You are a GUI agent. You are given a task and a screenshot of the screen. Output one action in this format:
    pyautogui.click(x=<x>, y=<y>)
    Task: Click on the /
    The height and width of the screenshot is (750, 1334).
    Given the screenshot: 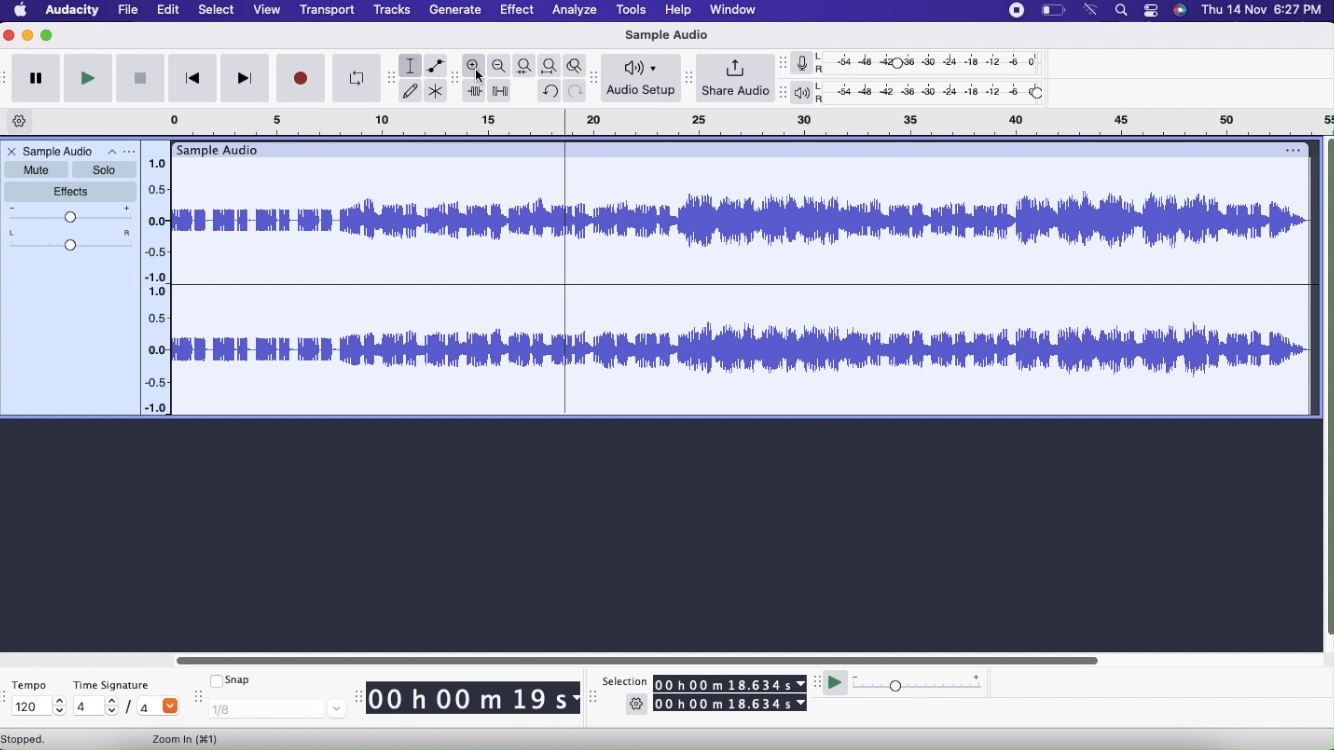 What is the action you would take?
    pyautogui.click(x=131, y=708)
    